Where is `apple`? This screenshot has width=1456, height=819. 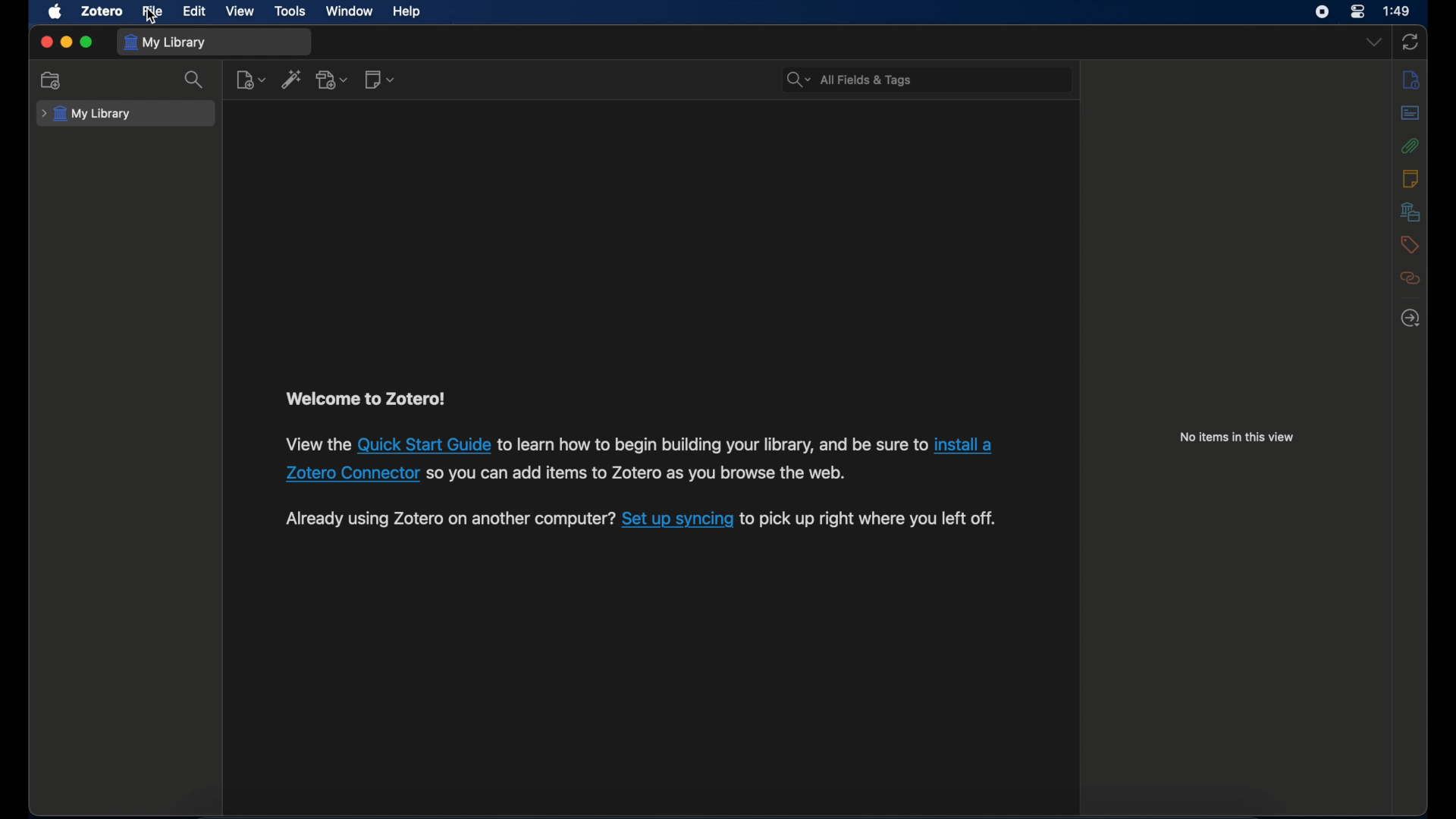 apple is located at coordinates (55, 12).